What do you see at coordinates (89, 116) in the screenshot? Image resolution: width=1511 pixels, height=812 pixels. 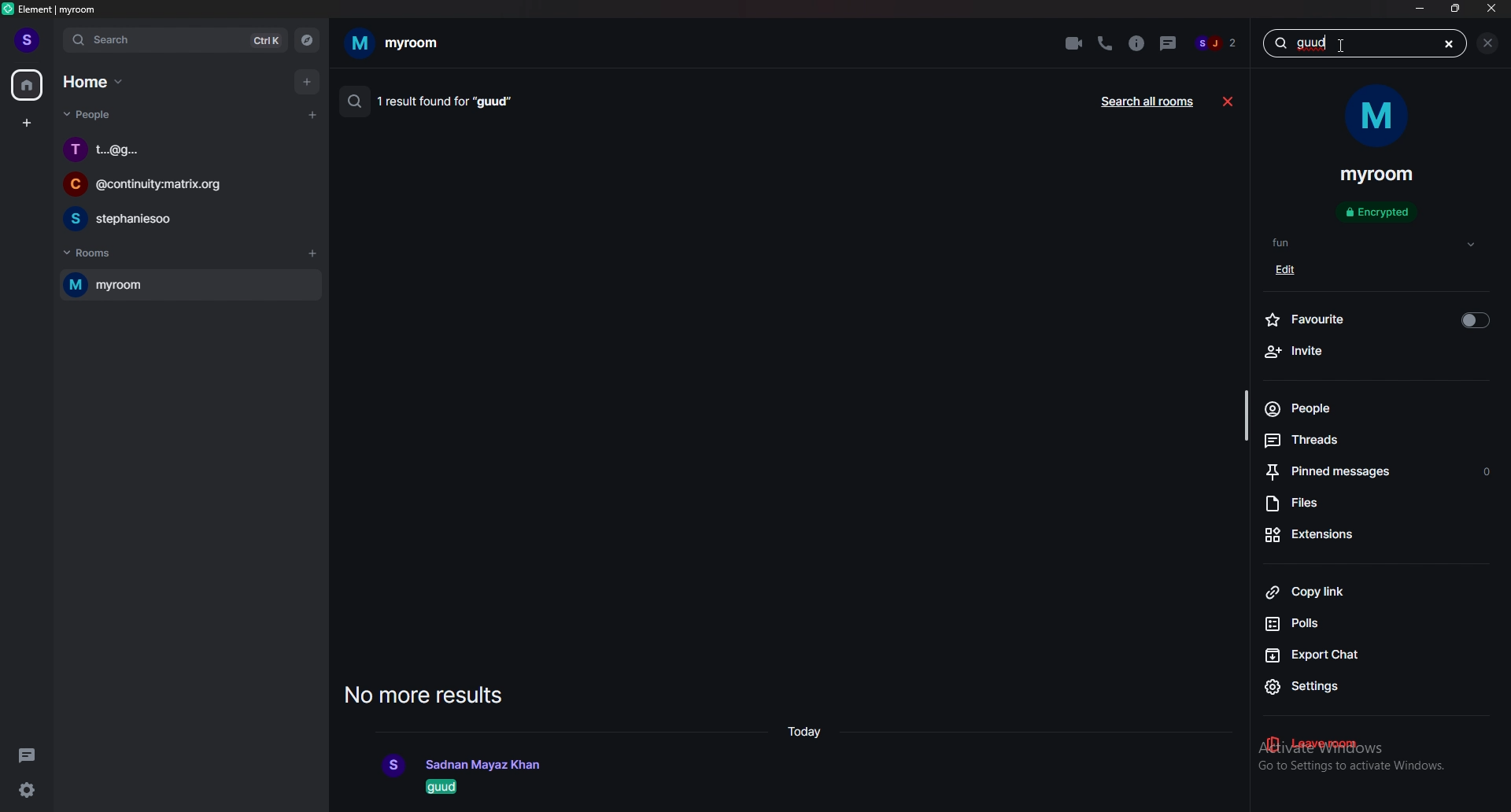 I see `people` at bounding box center [89, 116].